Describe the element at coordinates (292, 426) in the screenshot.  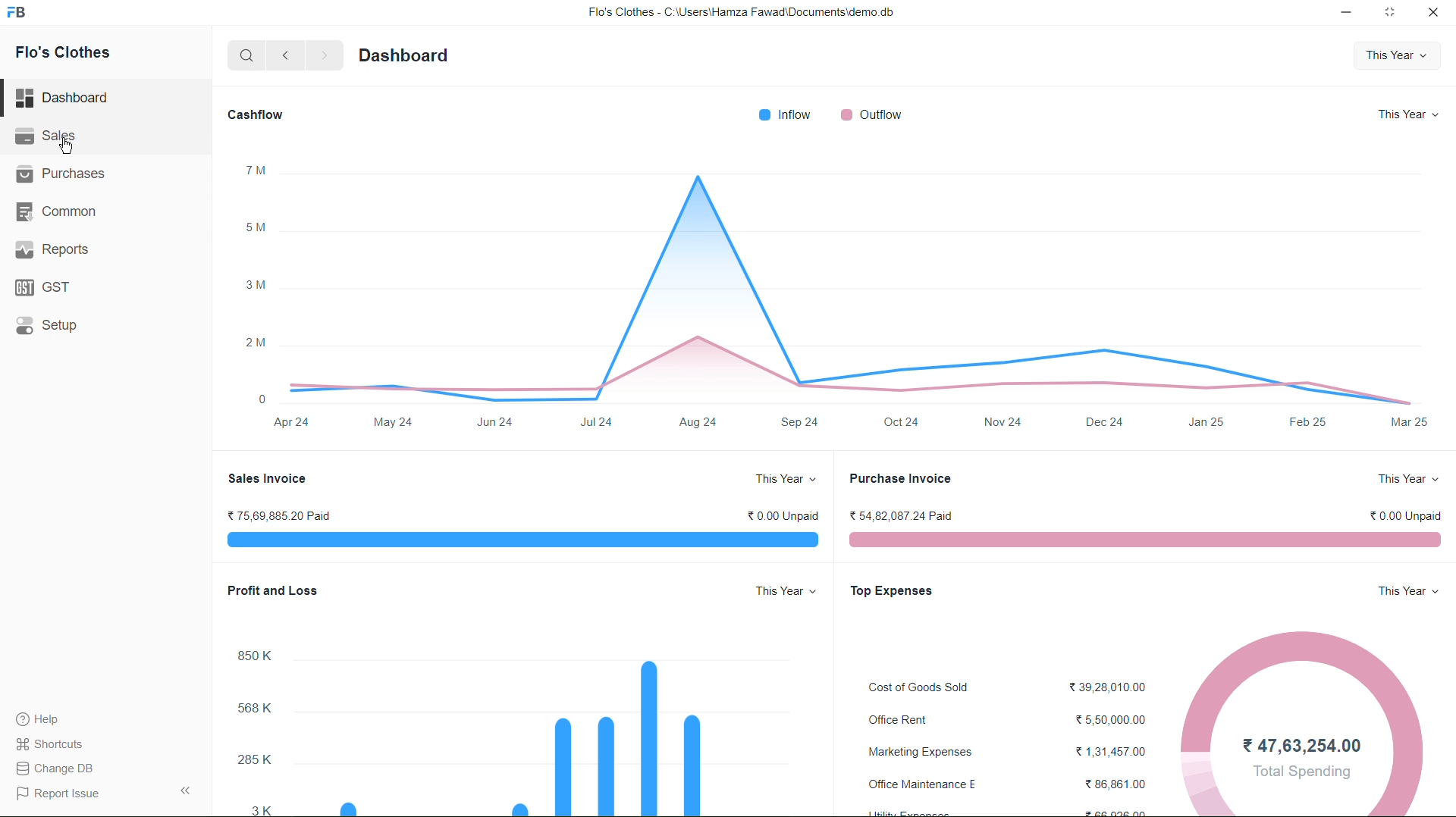
I see `Apr24` at that location.